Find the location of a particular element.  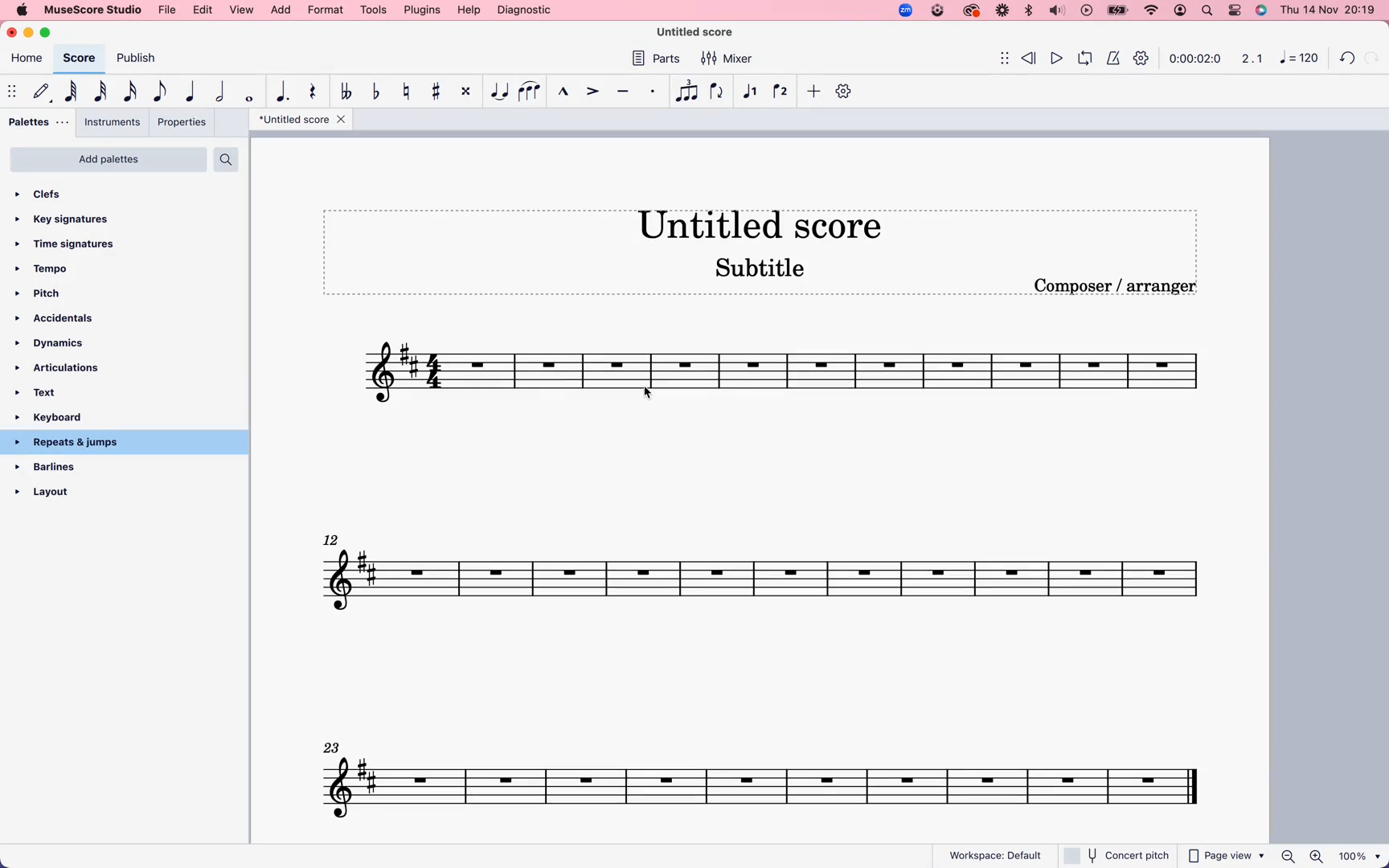

minimize is located at coordinates (31, 33).